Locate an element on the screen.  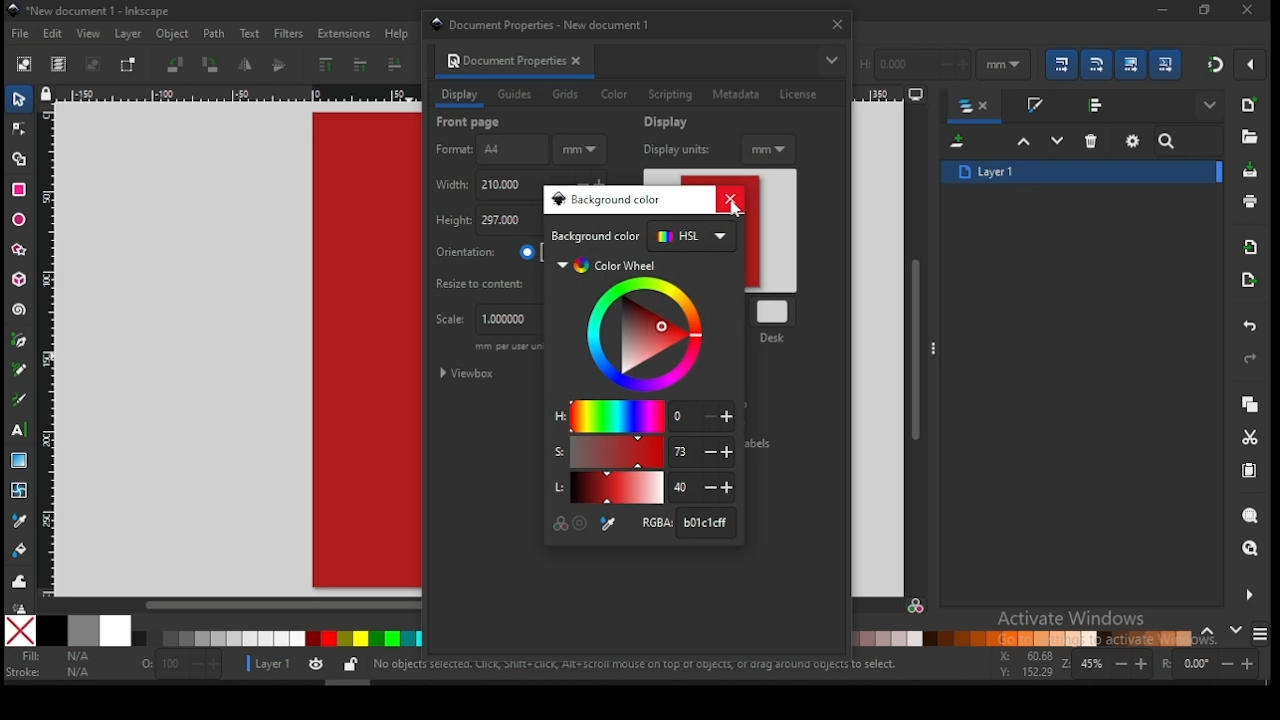
save is located at coordinates (1248, 171).